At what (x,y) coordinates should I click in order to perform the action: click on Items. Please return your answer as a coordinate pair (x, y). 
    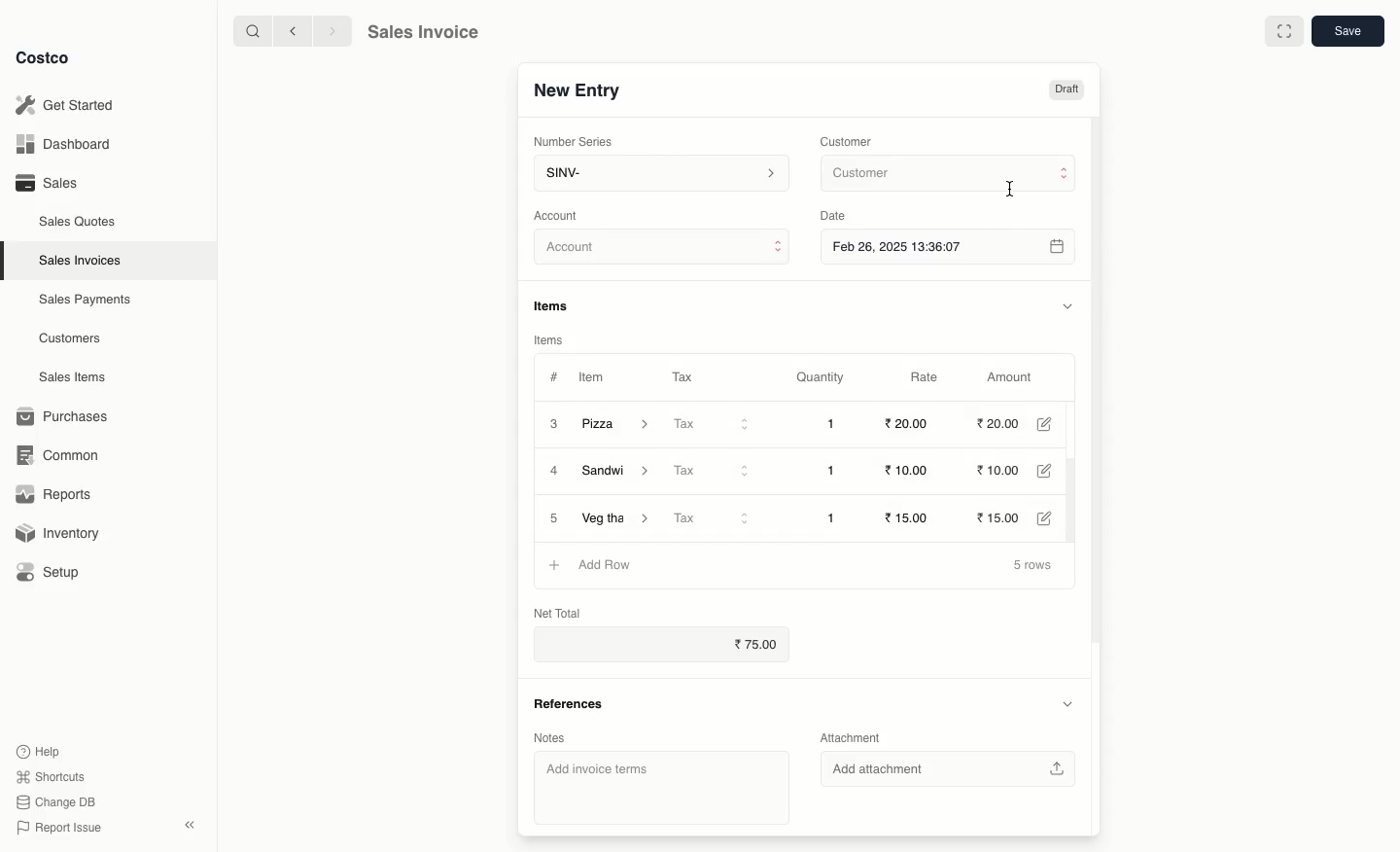
    Looking at the image, I should click on (558, 305).